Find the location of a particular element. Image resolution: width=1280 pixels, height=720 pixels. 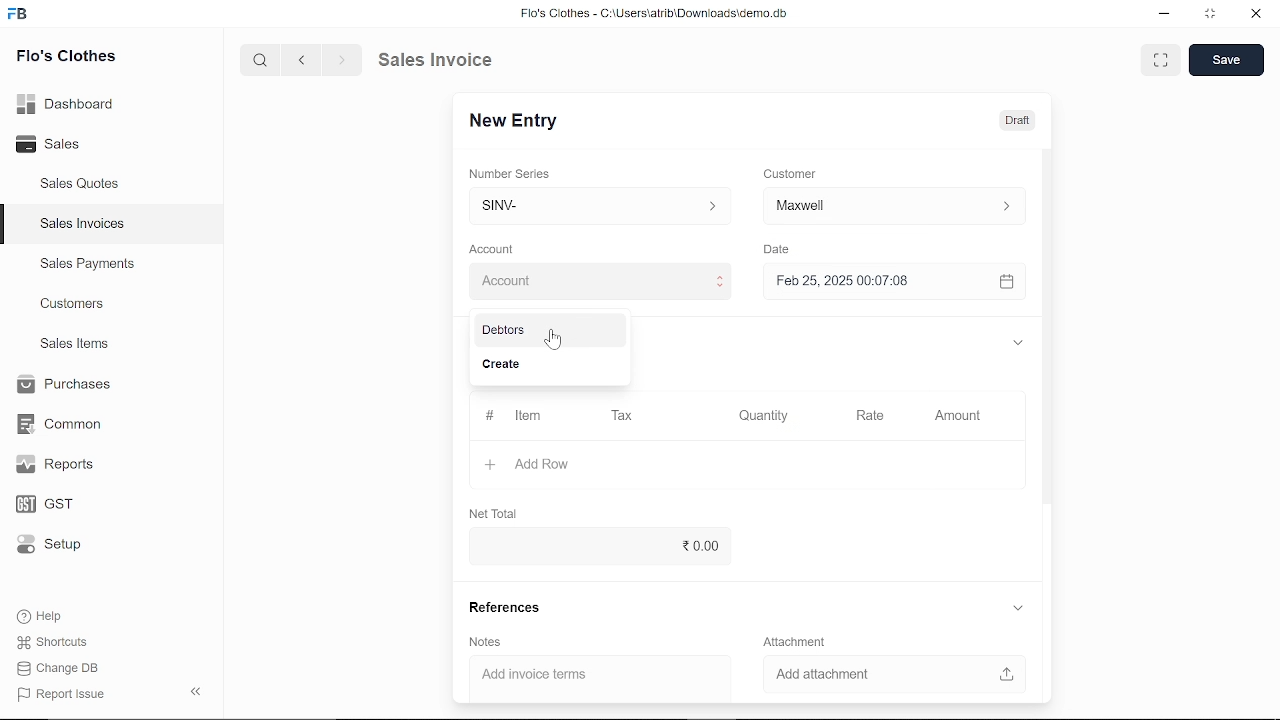

Sales Invoices is located at coordinates (82, 224).